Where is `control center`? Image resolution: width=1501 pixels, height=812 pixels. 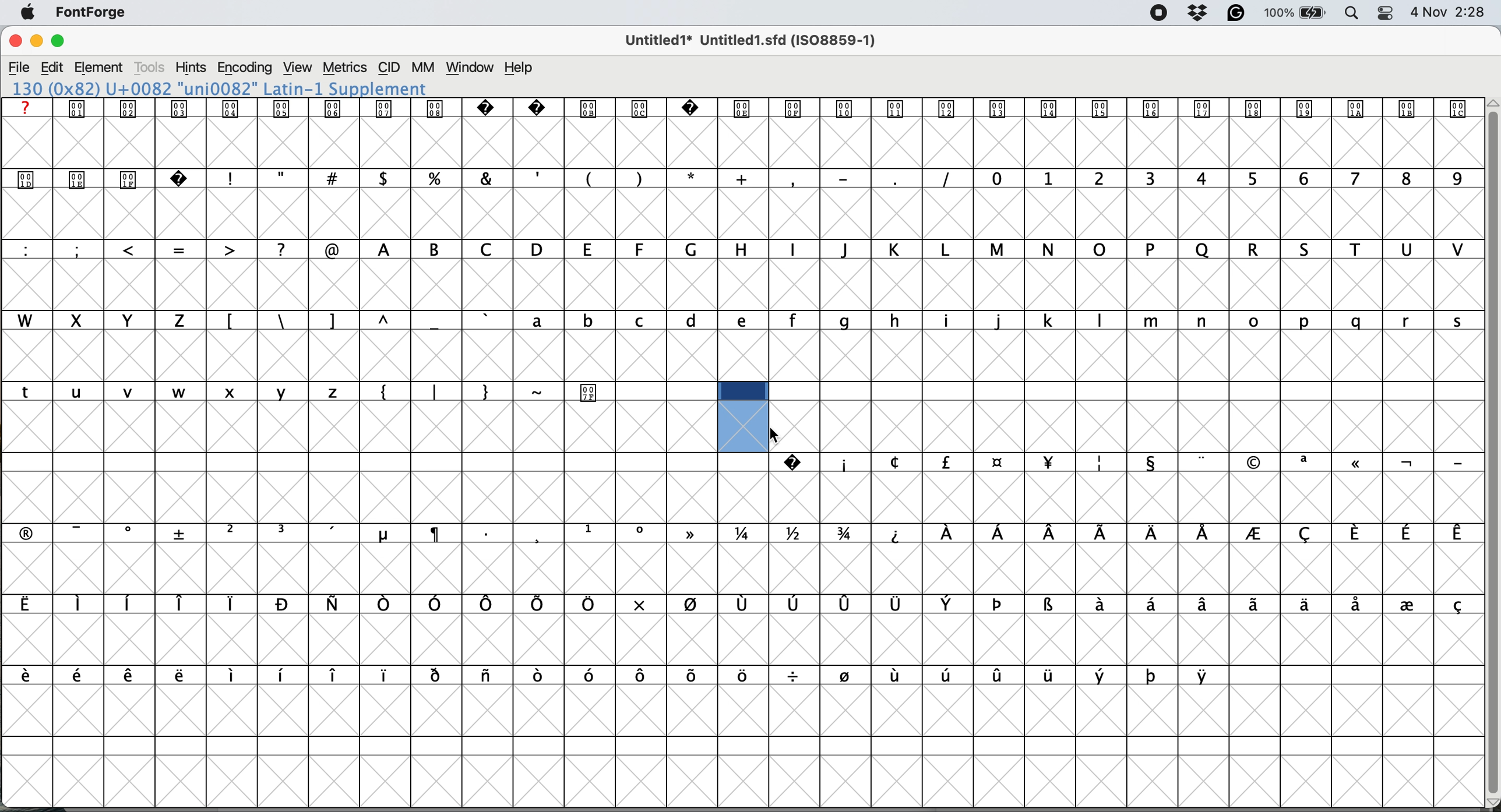 control center is located at coordinates (1384, 13).